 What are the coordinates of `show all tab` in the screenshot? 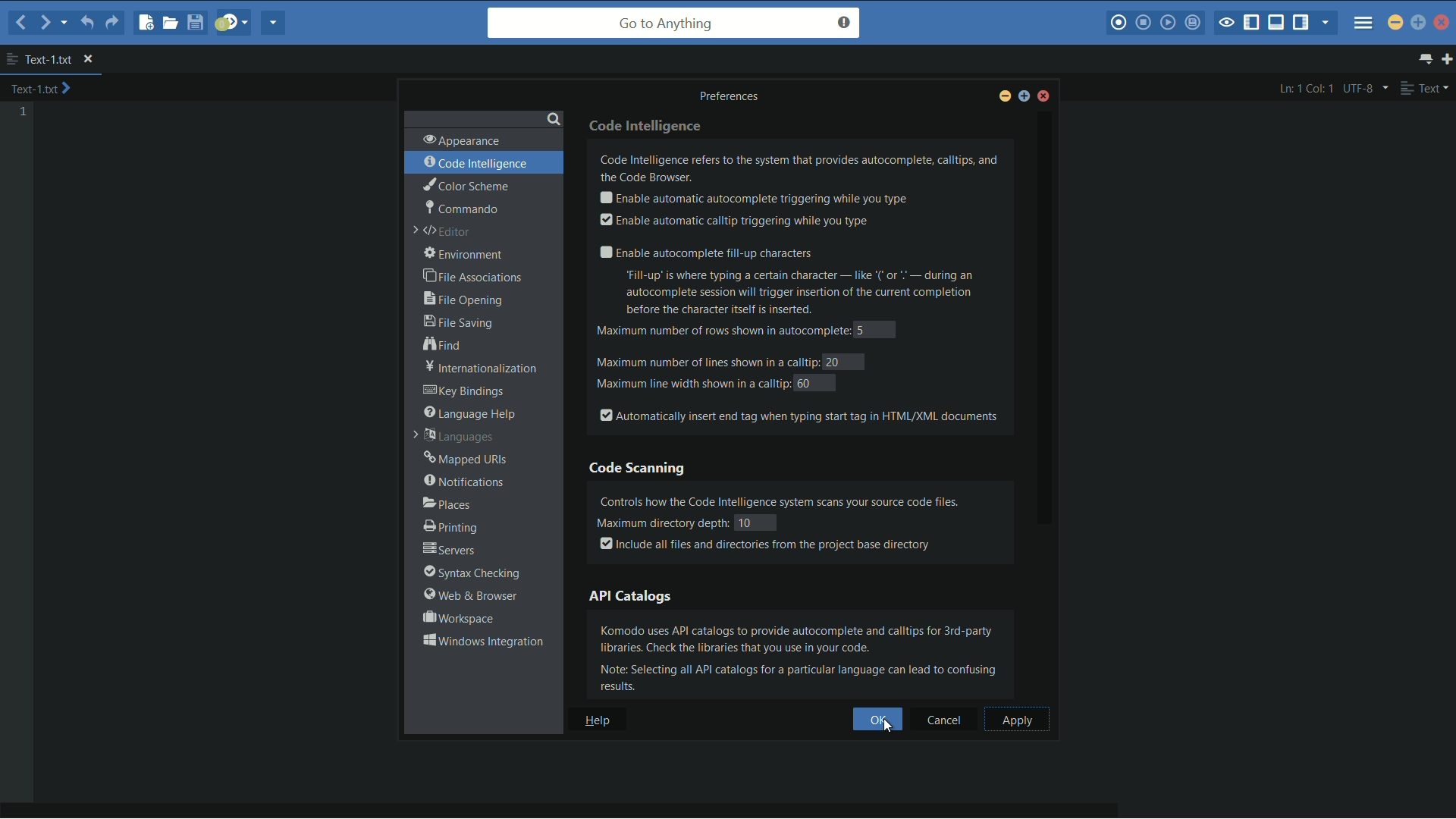 It's located at (1427, 59).